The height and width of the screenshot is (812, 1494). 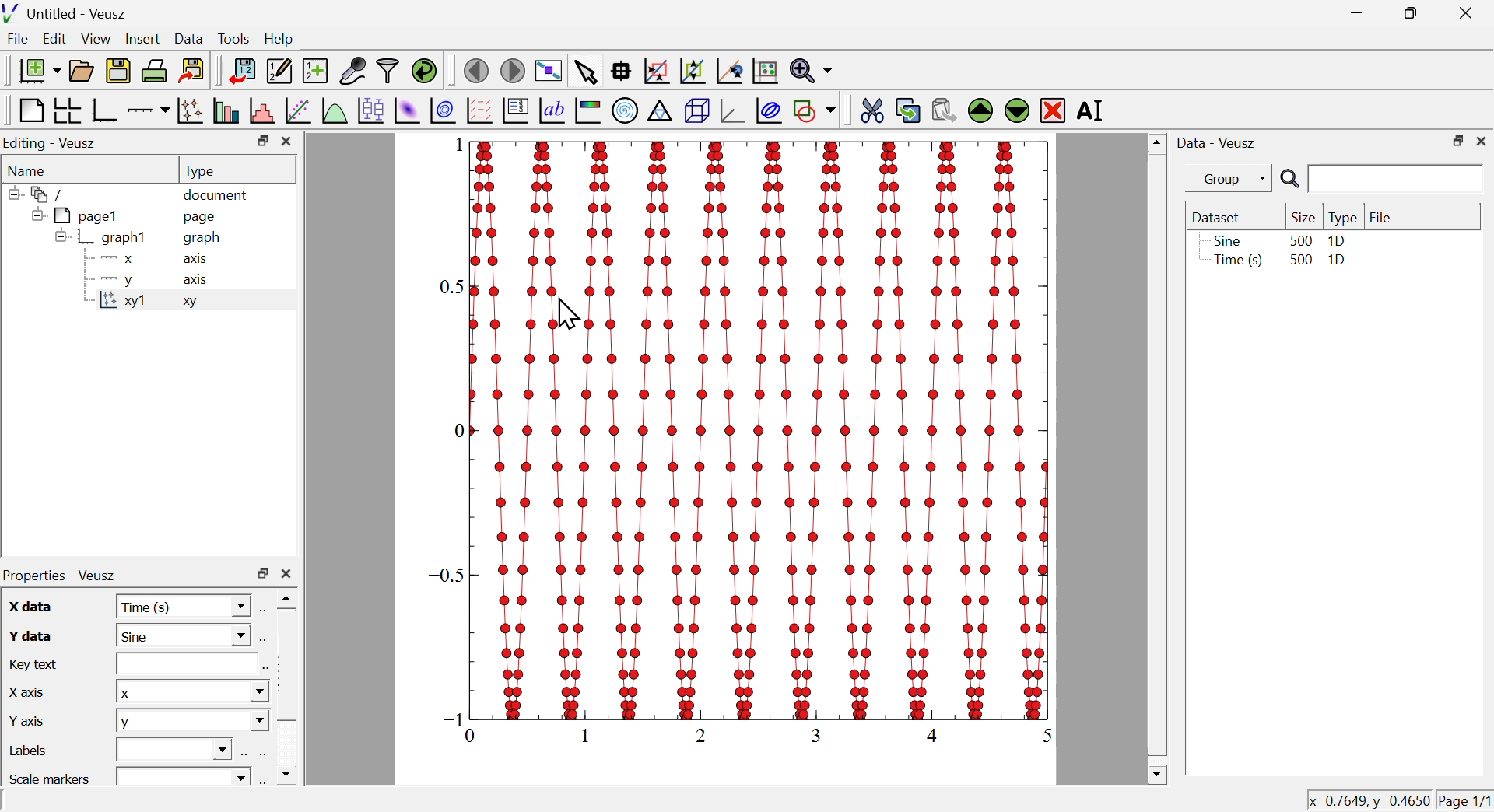 I want to click on labels, so click(x=31, y=751).